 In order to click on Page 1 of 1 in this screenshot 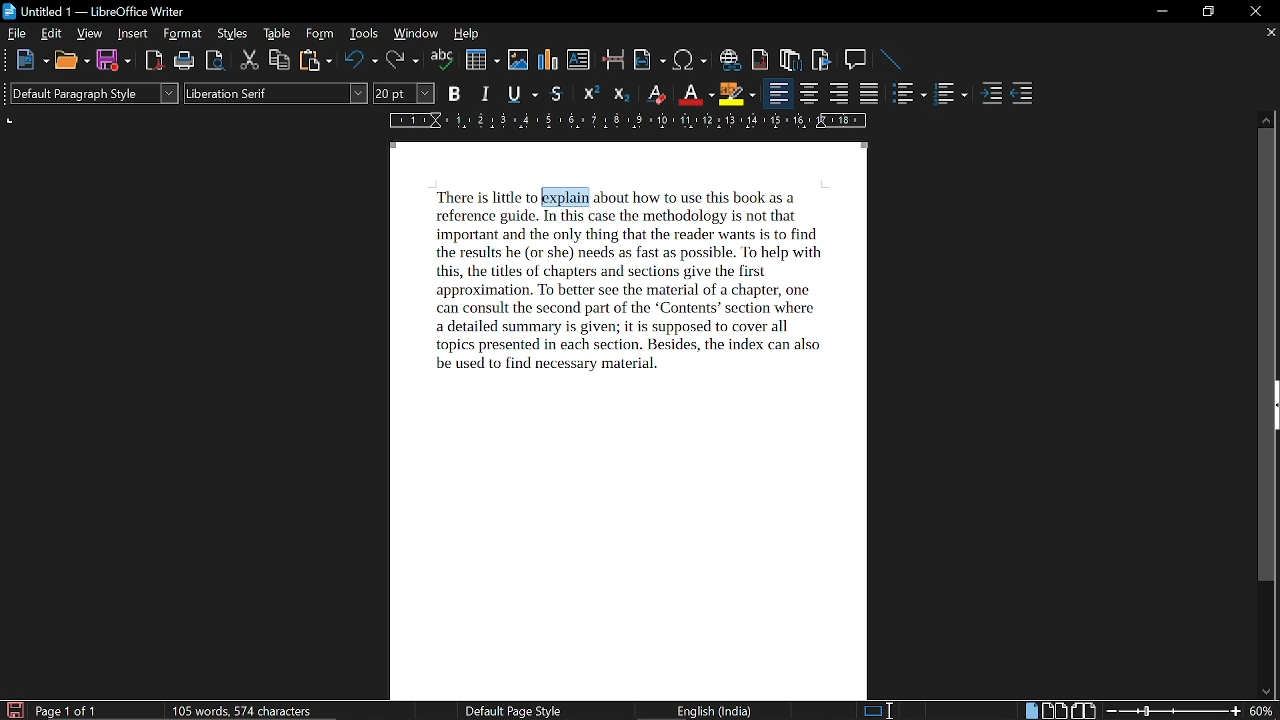, I will do `click(67, 711)`.